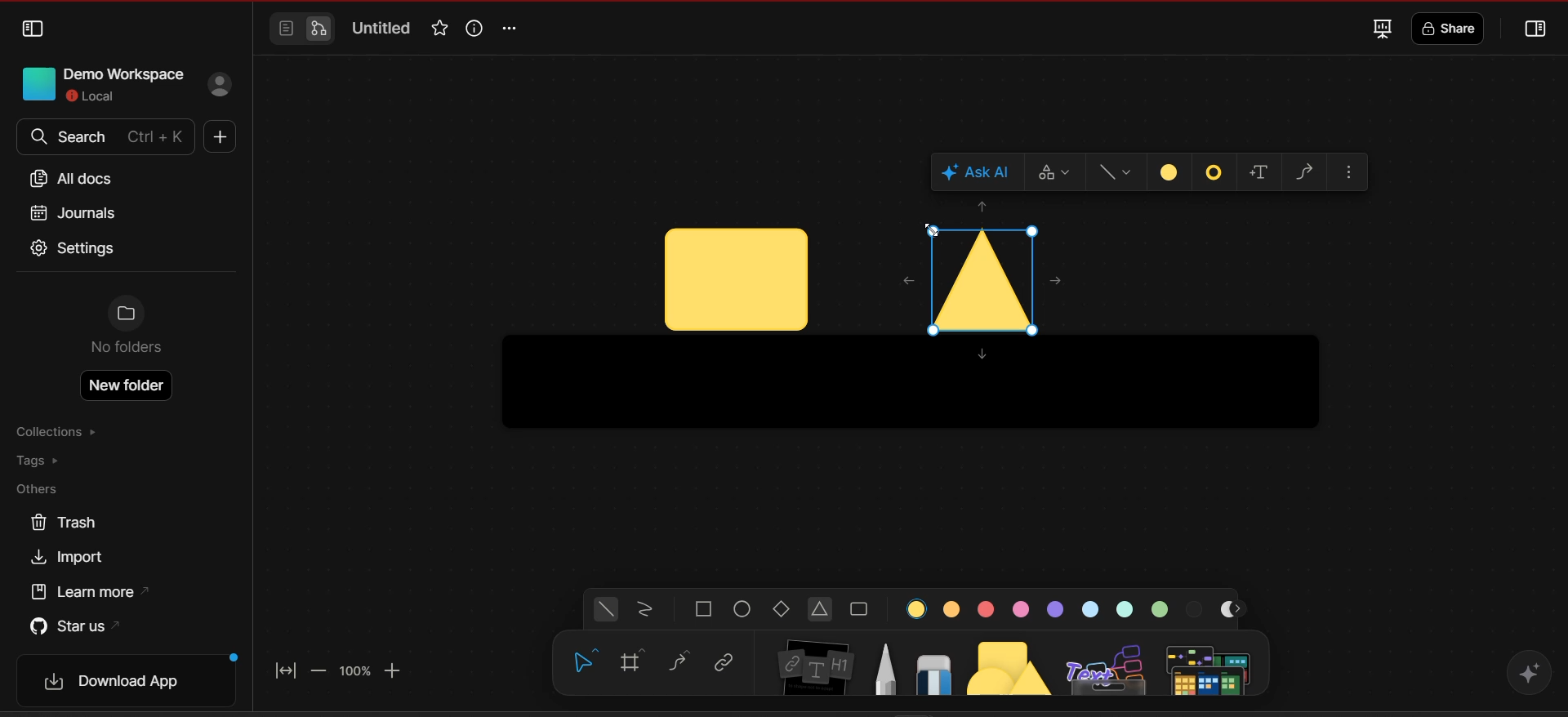 The width and height of the screenshot is (1568, 717). I want to click on new doc, so click(217, 139).